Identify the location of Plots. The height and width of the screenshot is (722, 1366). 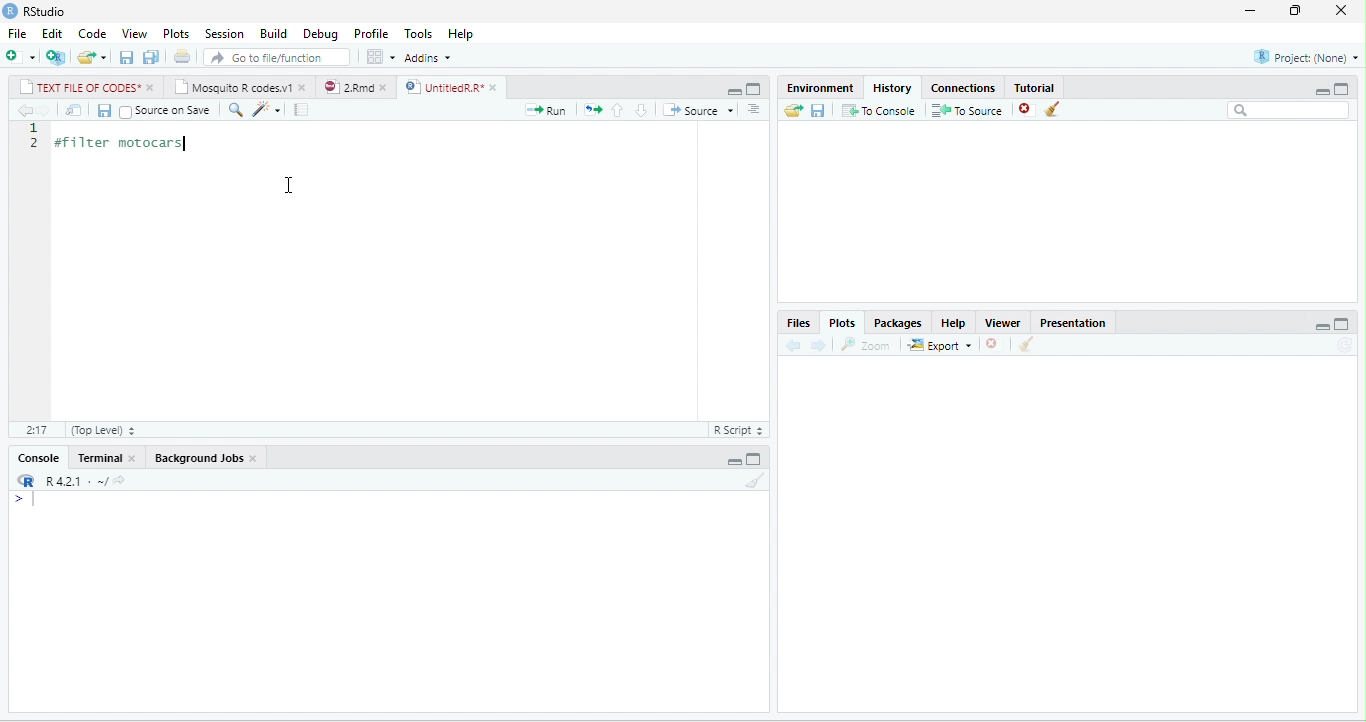
(176, 34).